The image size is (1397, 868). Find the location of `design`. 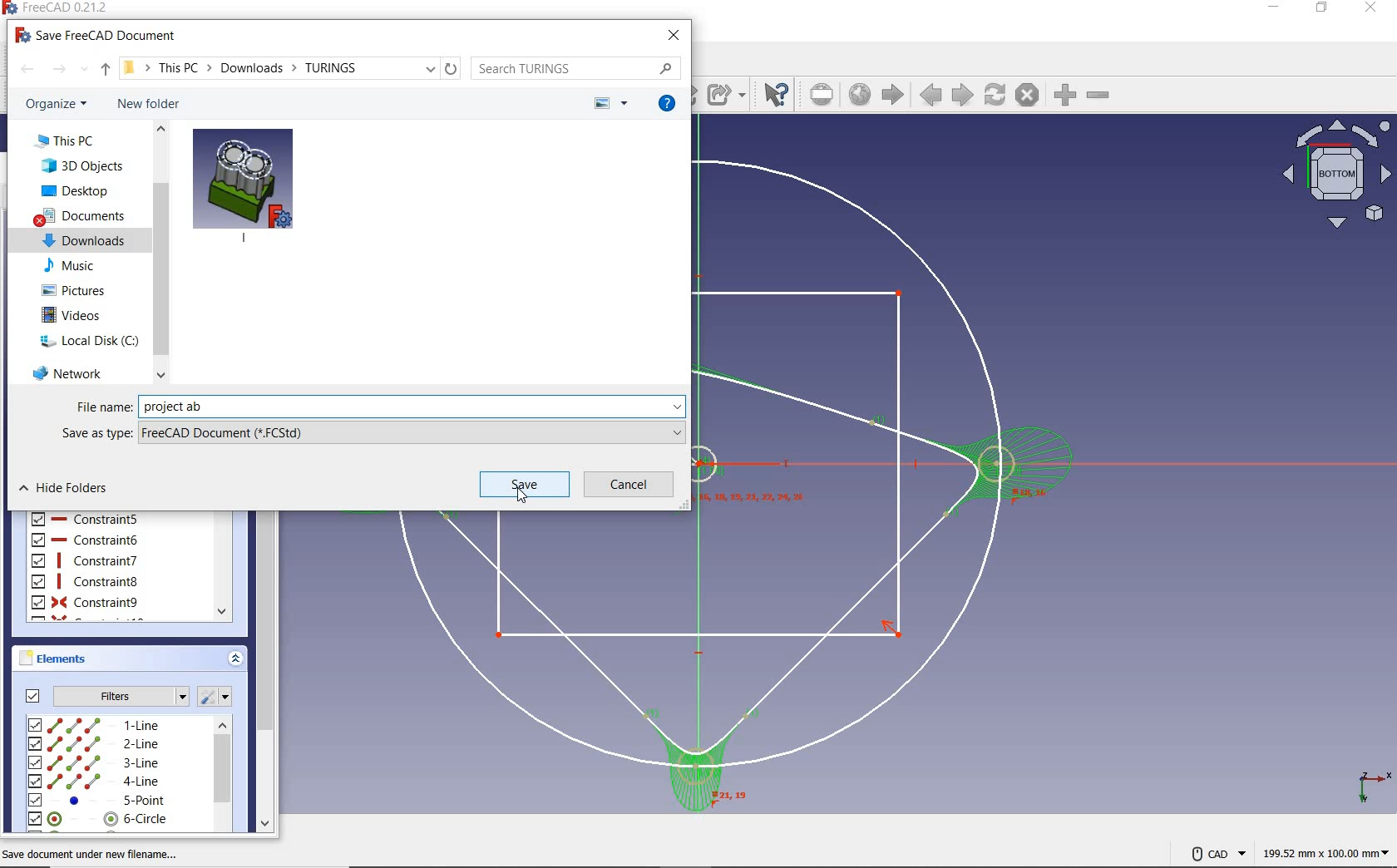

design is located at coordinates (889, 483).